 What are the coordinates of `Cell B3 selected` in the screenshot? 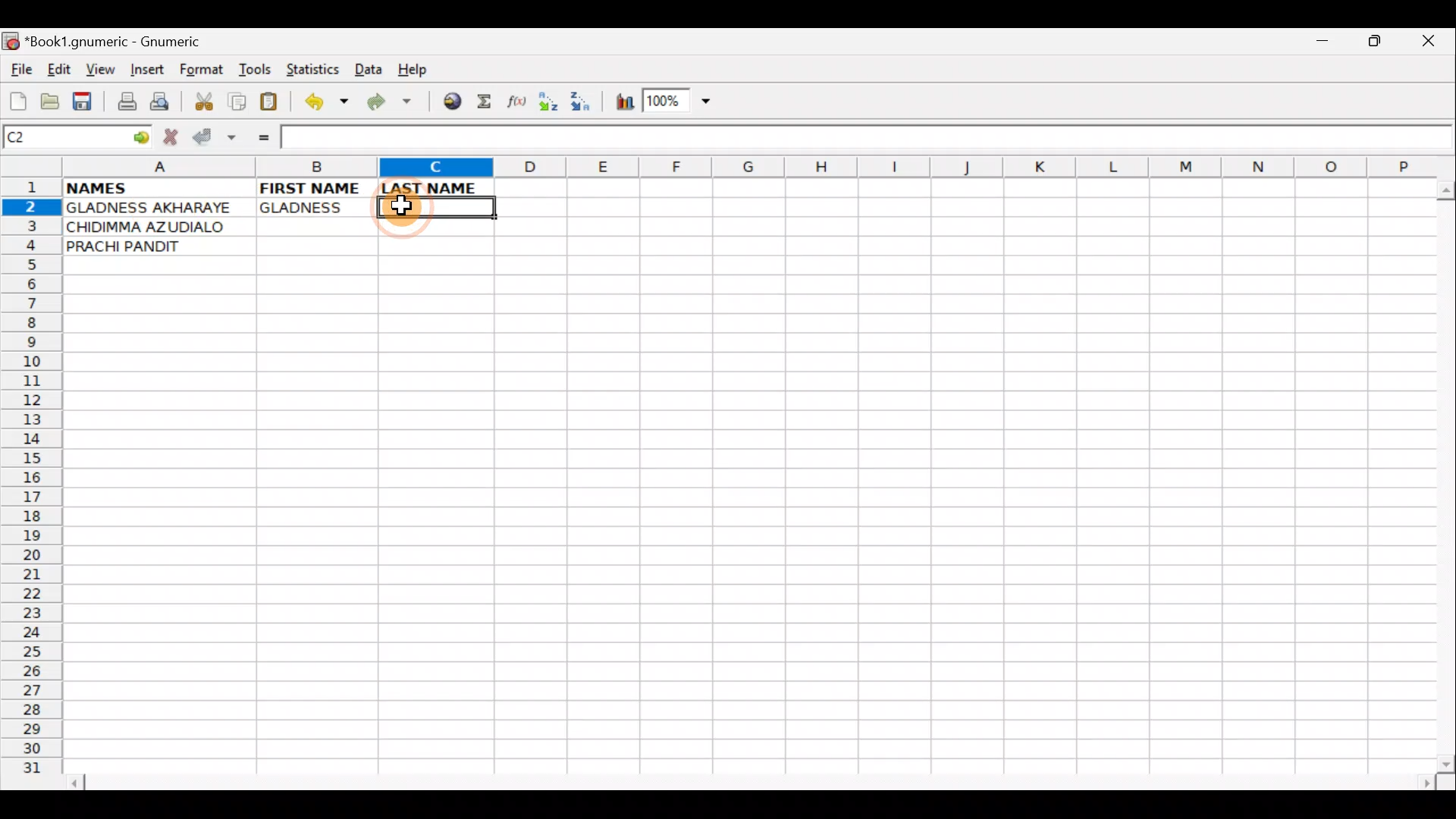 It's located at (315, 227).